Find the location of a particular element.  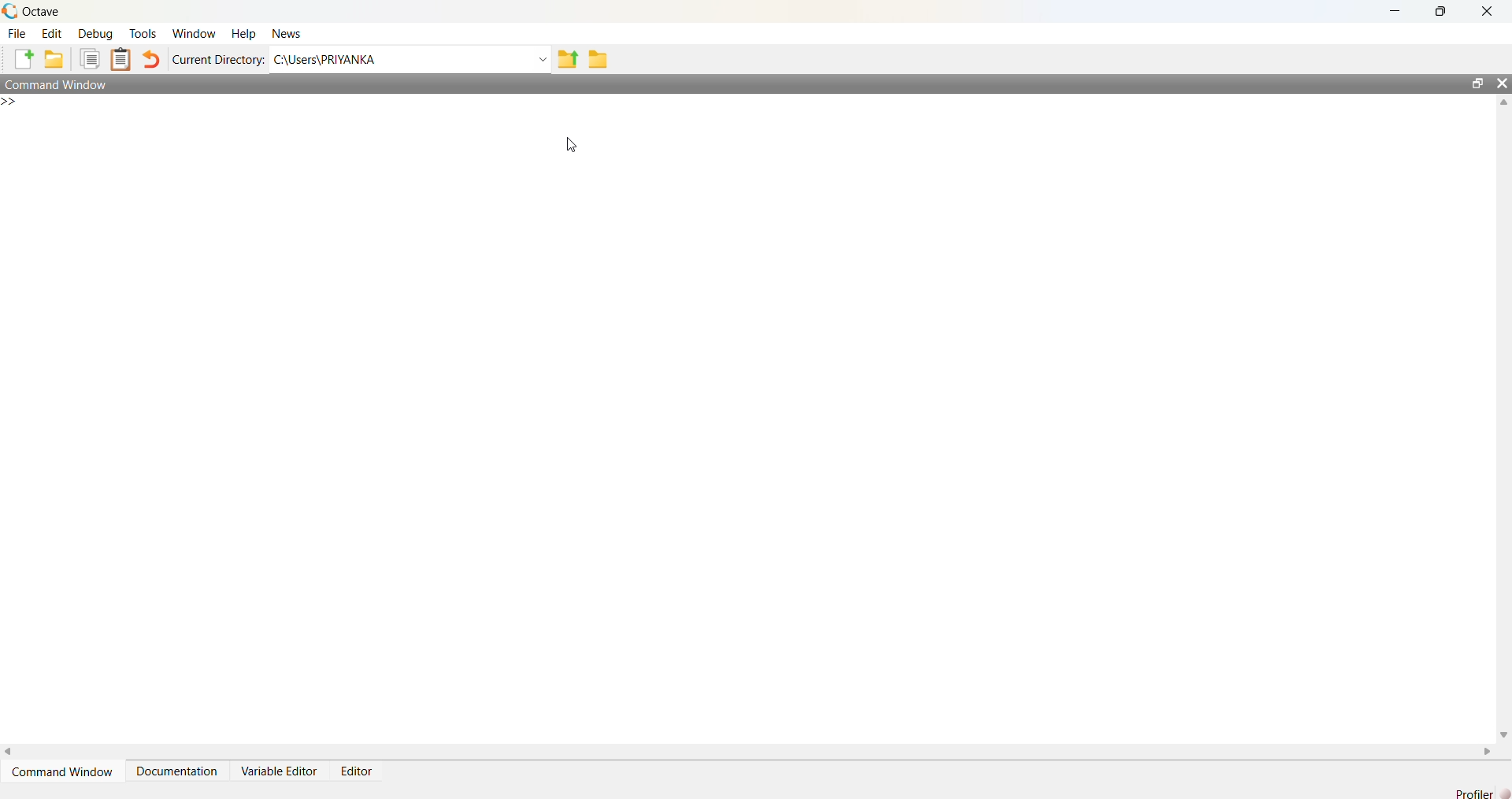

Help is located at coordinates (241, 34).